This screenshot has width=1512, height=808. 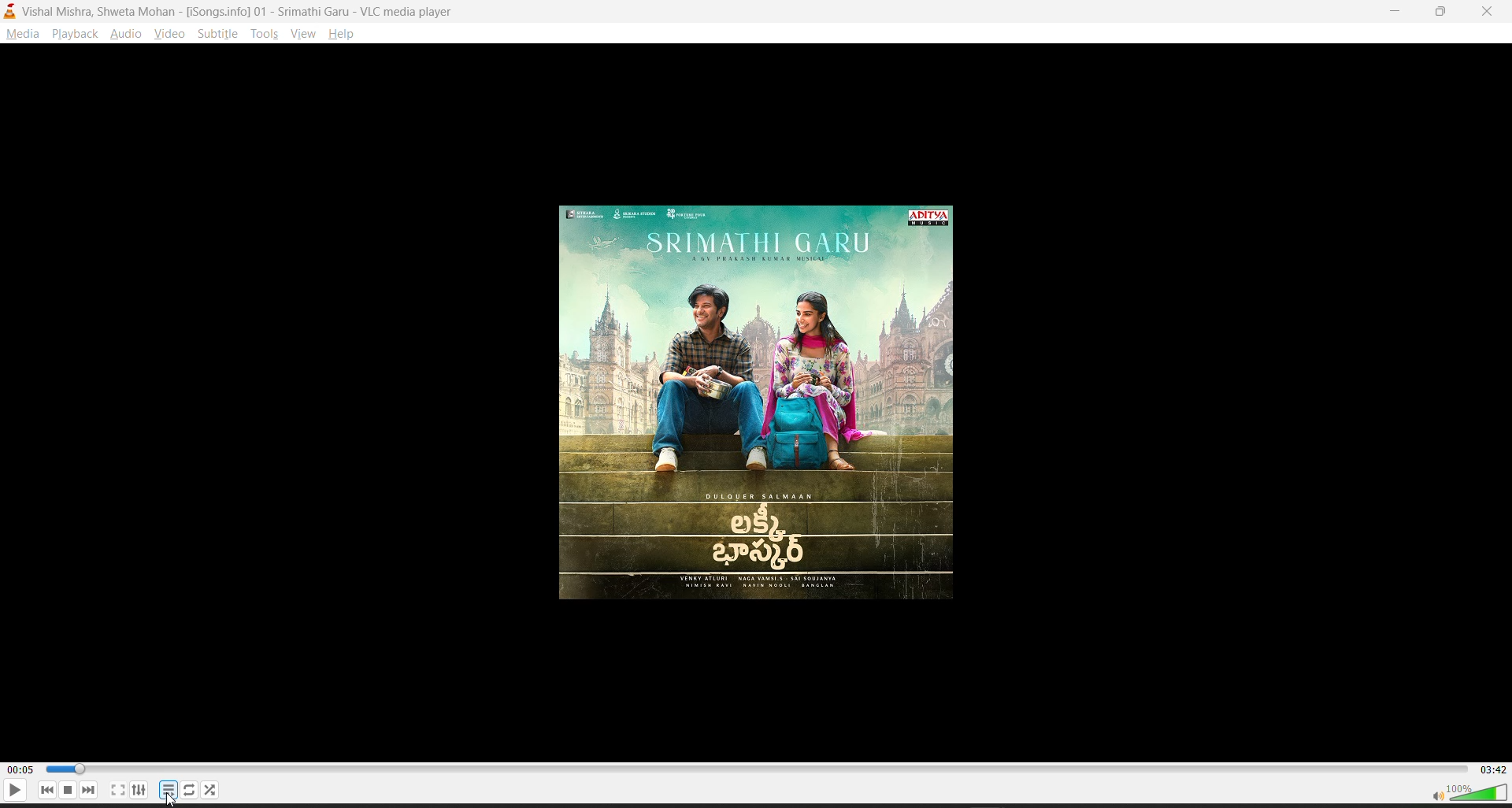 What do you see at coordinates (169, 33) in the screenshot?
I see `video` at bounding box center [169, 33].